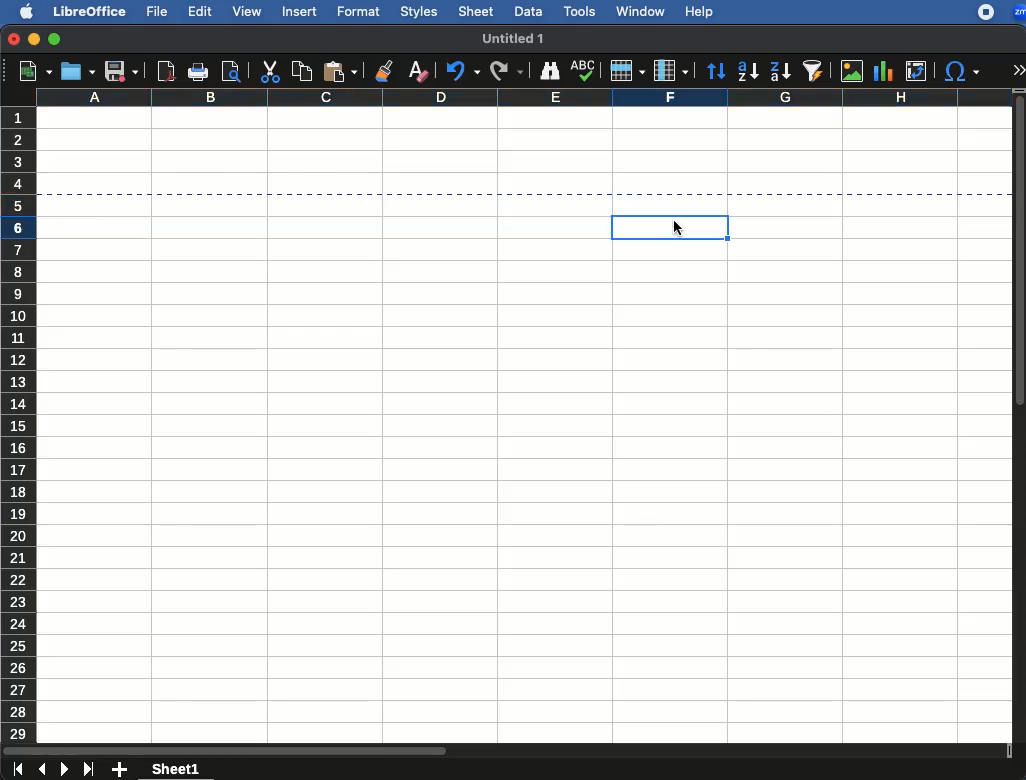  I want to click on sort, so click(715, 73).